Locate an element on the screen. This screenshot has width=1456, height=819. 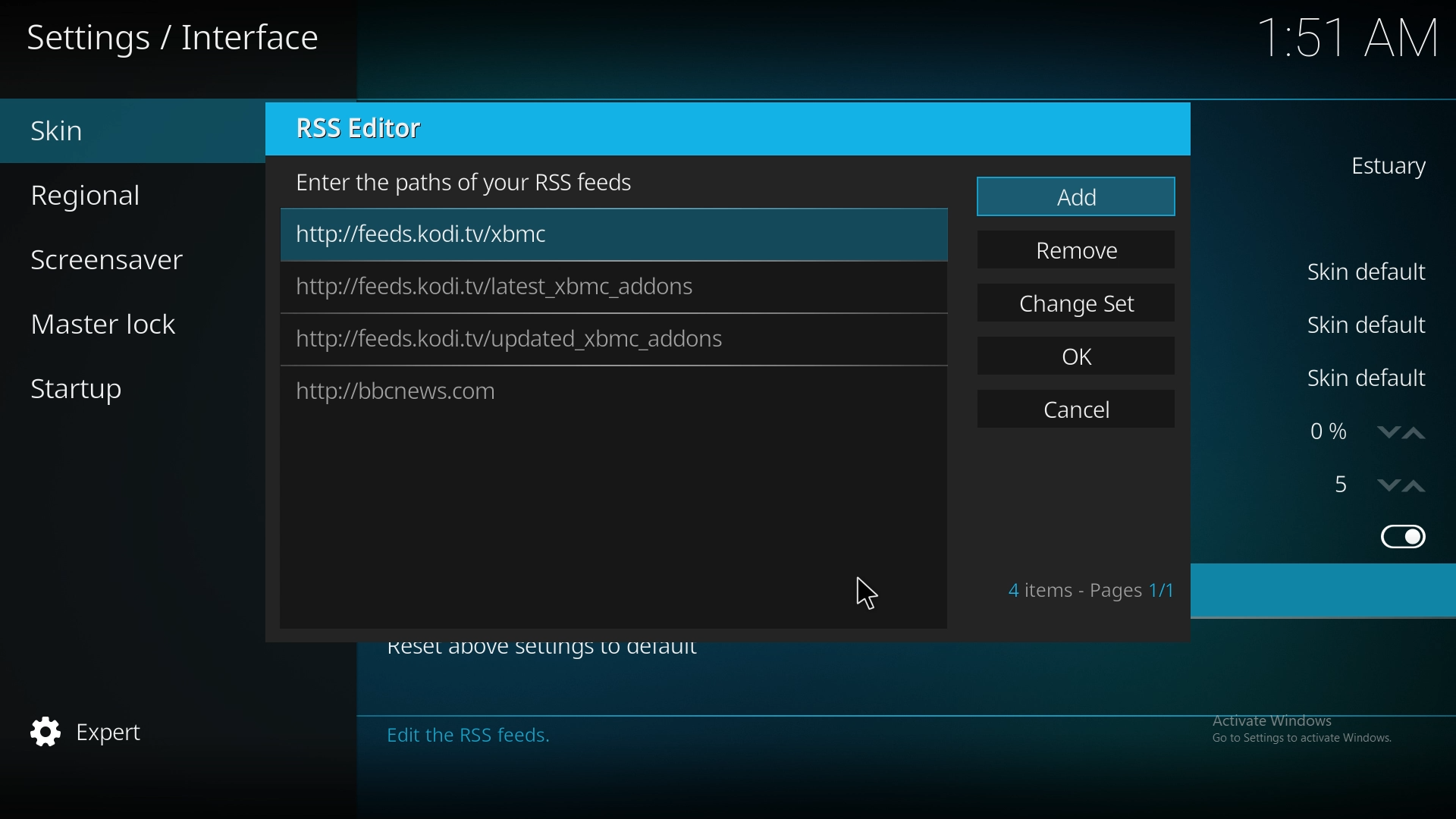
cancel is located at coordinates (1075, 412).